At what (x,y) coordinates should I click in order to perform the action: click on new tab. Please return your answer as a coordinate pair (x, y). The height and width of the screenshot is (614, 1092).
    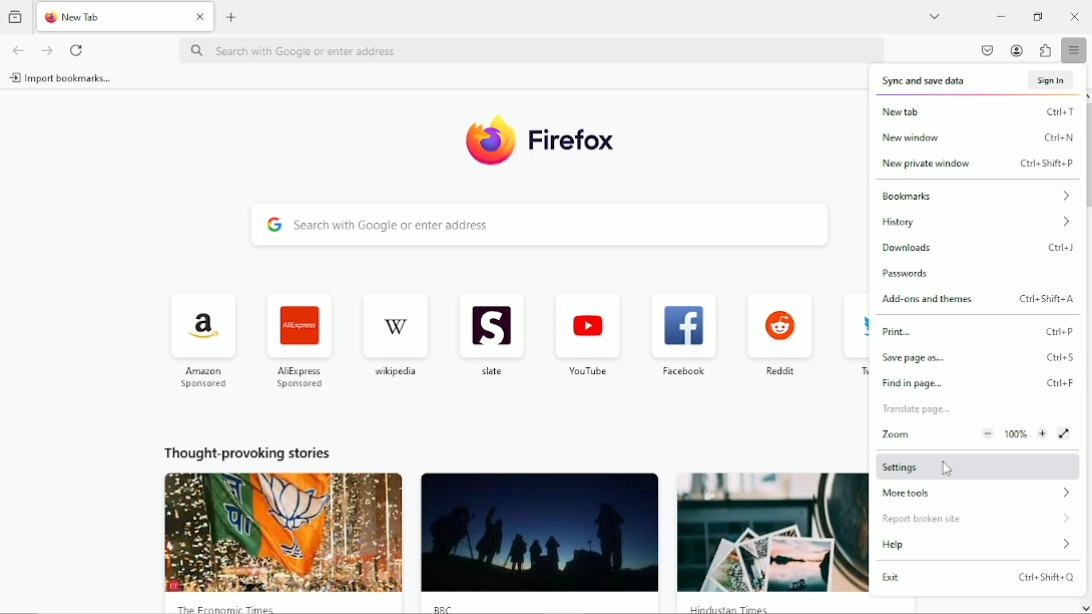
    Looking at the image, I should click on (233, 18).